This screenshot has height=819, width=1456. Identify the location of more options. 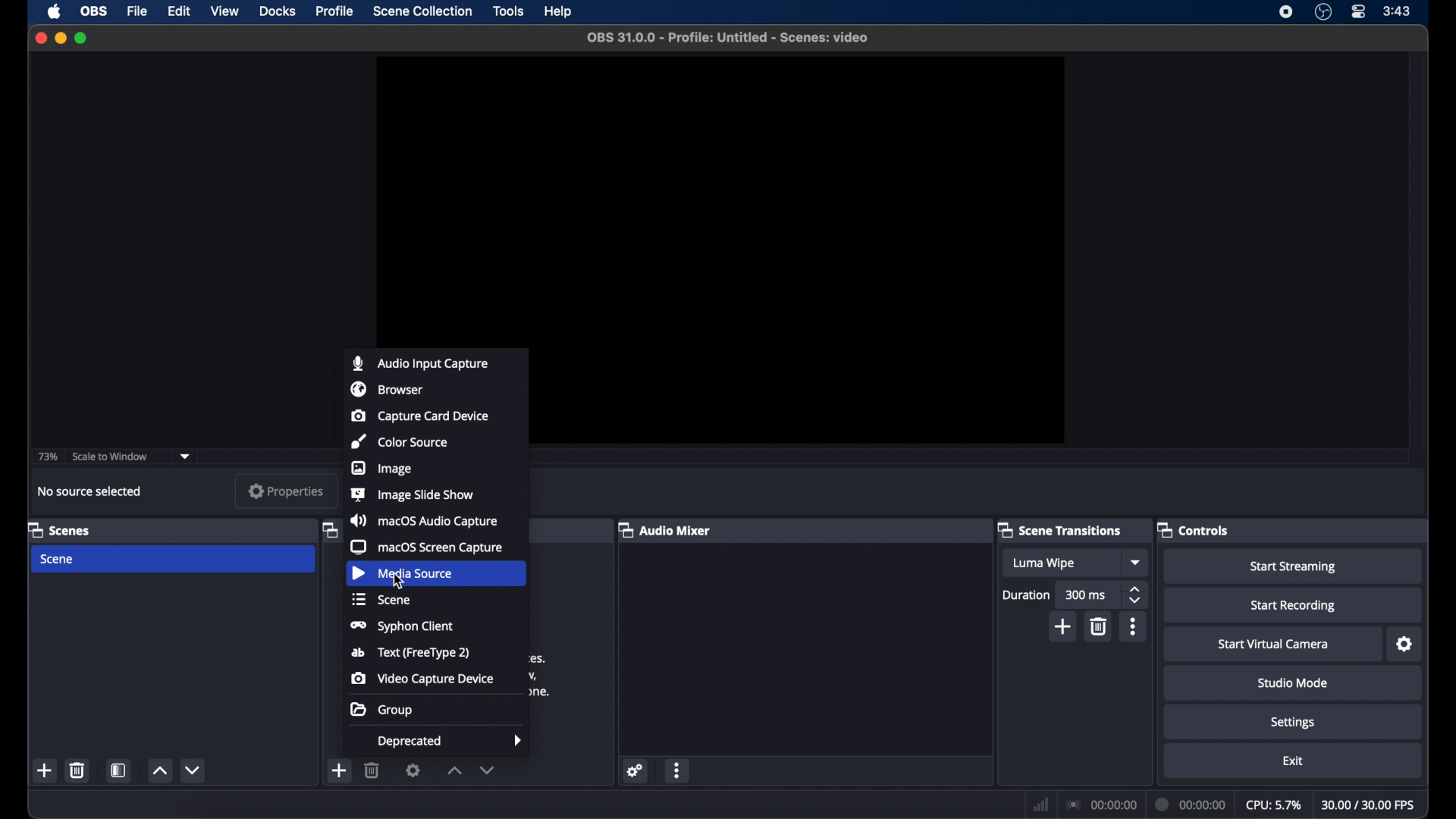
(678, 770).